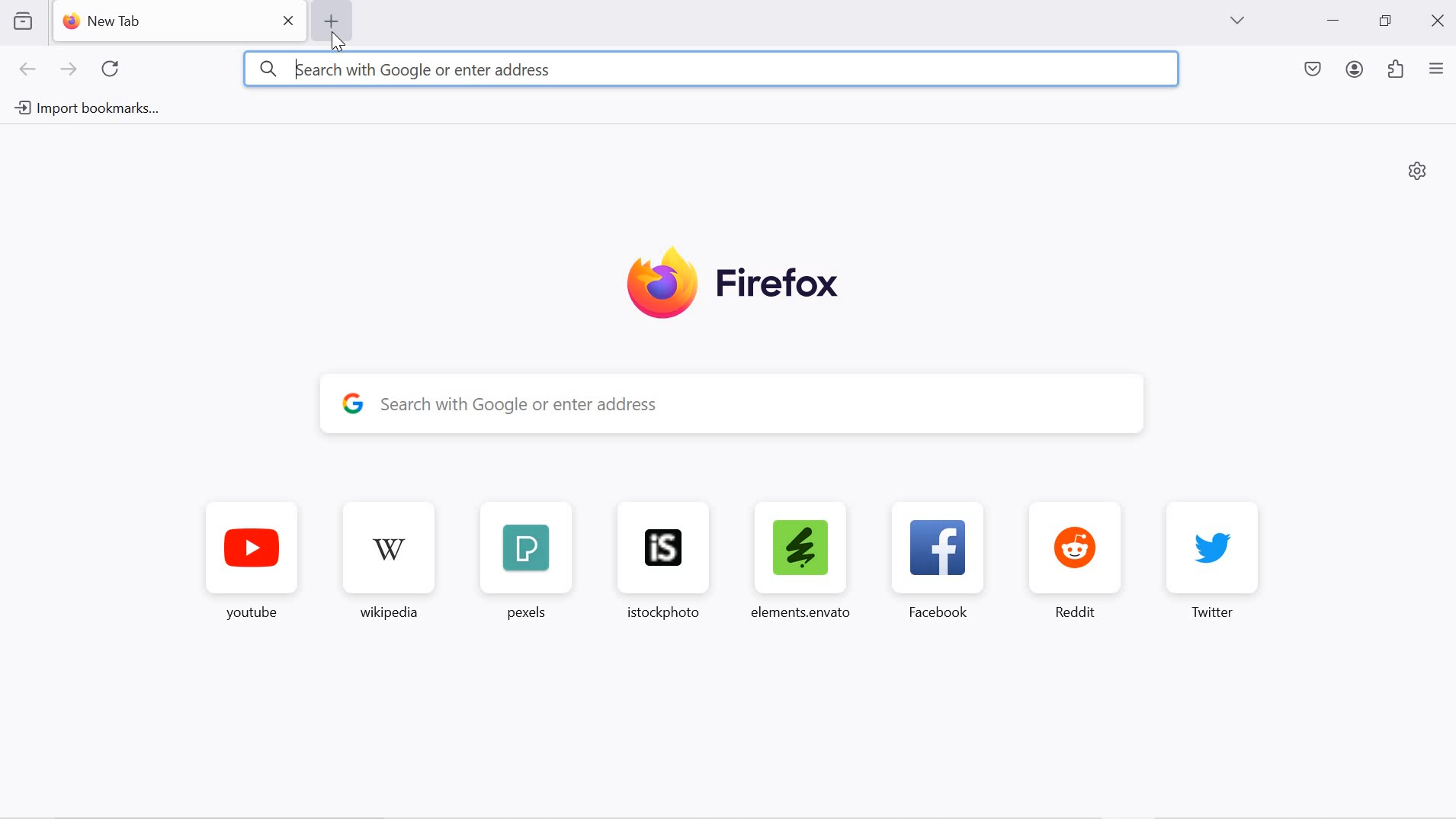 The height and width of the screenshot is (819, 1456). What do you see at coordinates (799, 559) in the screenshot?
I see `elements.envanto favorite` at bounding box center [799, 559].